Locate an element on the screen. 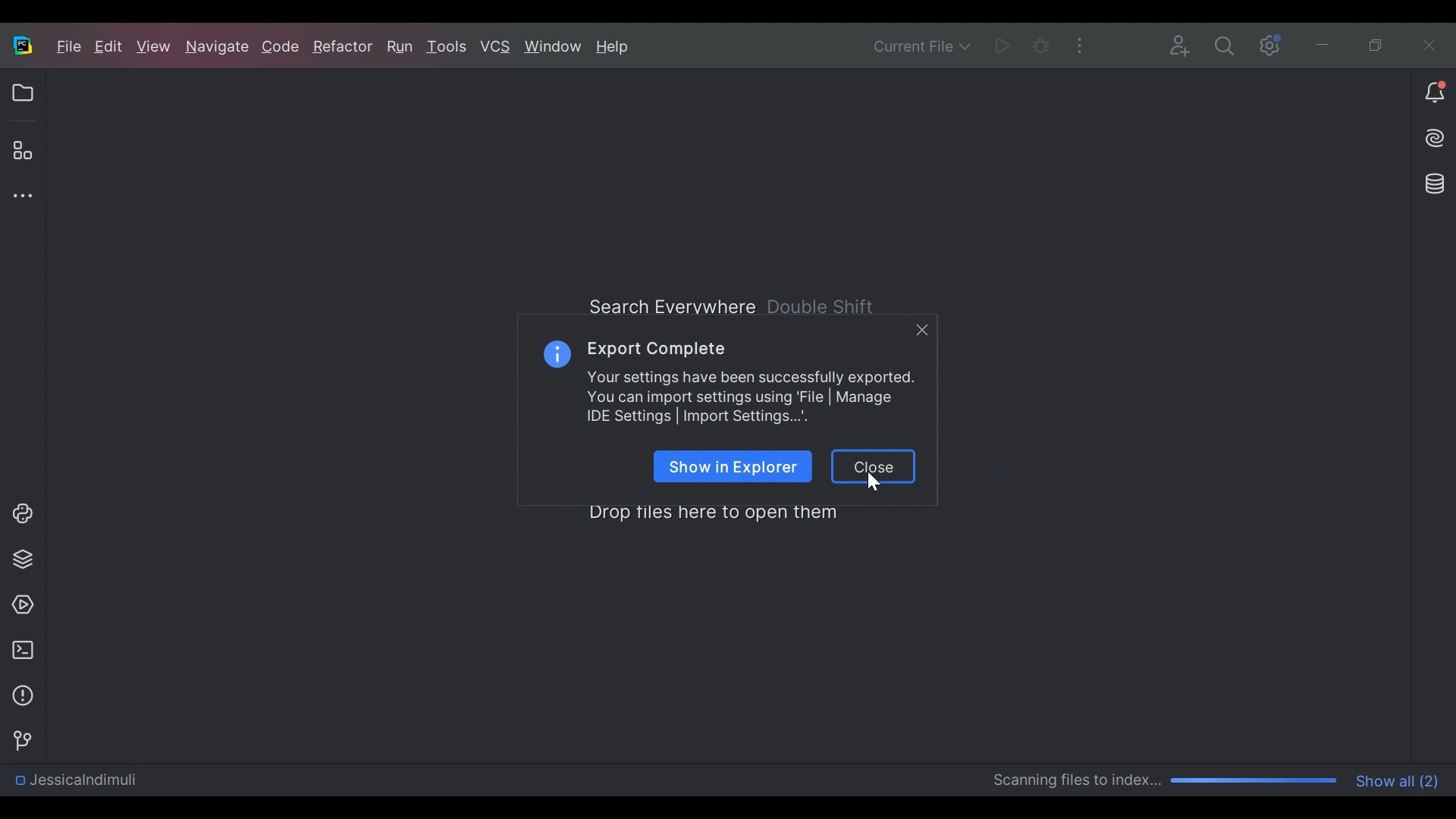 Image resolution: width=1456 pixels, height=819 pixels. PyCharm is located at coordinates (22, 45).